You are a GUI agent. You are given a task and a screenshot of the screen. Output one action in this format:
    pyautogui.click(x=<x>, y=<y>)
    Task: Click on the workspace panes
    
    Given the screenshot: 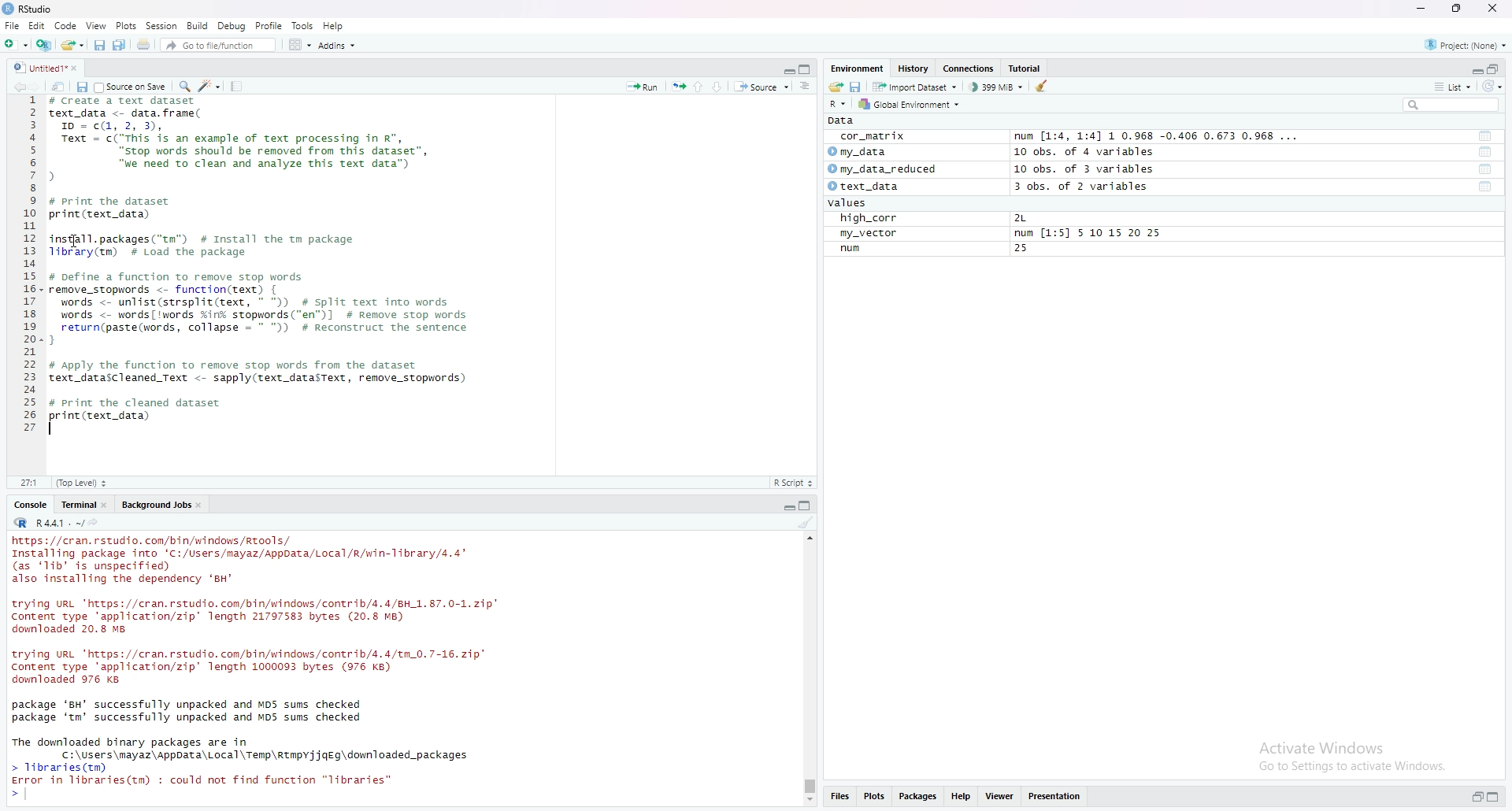 What is the action you would take?
    pyautogui.click(x=300, y=46)
    